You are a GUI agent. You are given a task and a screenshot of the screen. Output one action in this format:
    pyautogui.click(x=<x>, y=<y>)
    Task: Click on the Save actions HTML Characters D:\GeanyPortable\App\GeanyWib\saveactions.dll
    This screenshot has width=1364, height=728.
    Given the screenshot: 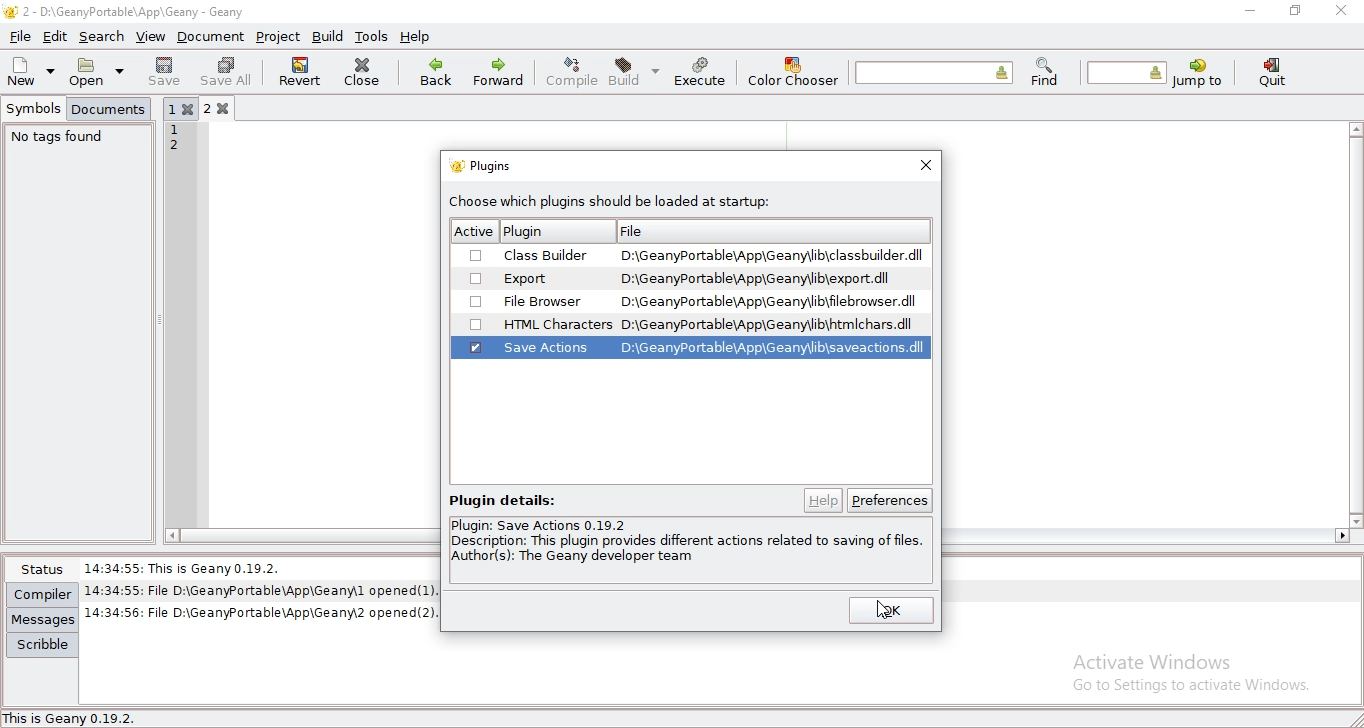 What is the action you would take?
    pyautogui.click(x=692, y=350)
    